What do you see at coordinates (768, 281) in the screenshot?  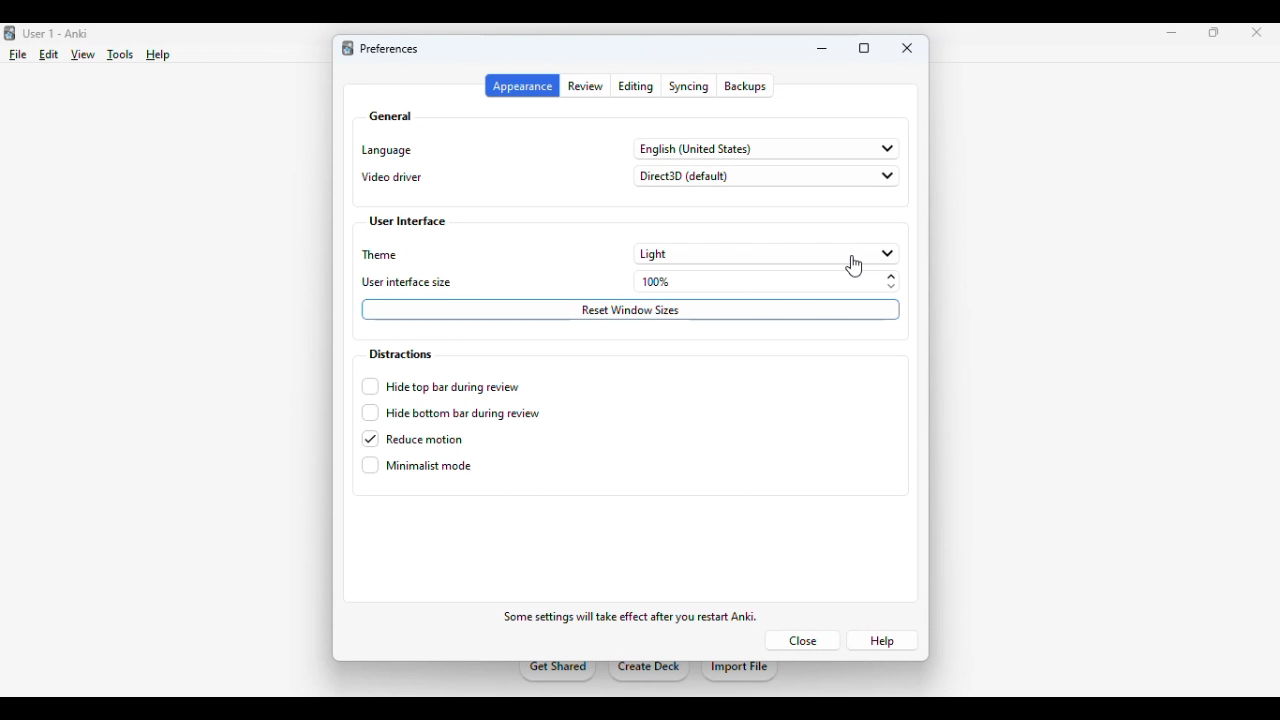 I see `100%` at bounding box center [768, 281].